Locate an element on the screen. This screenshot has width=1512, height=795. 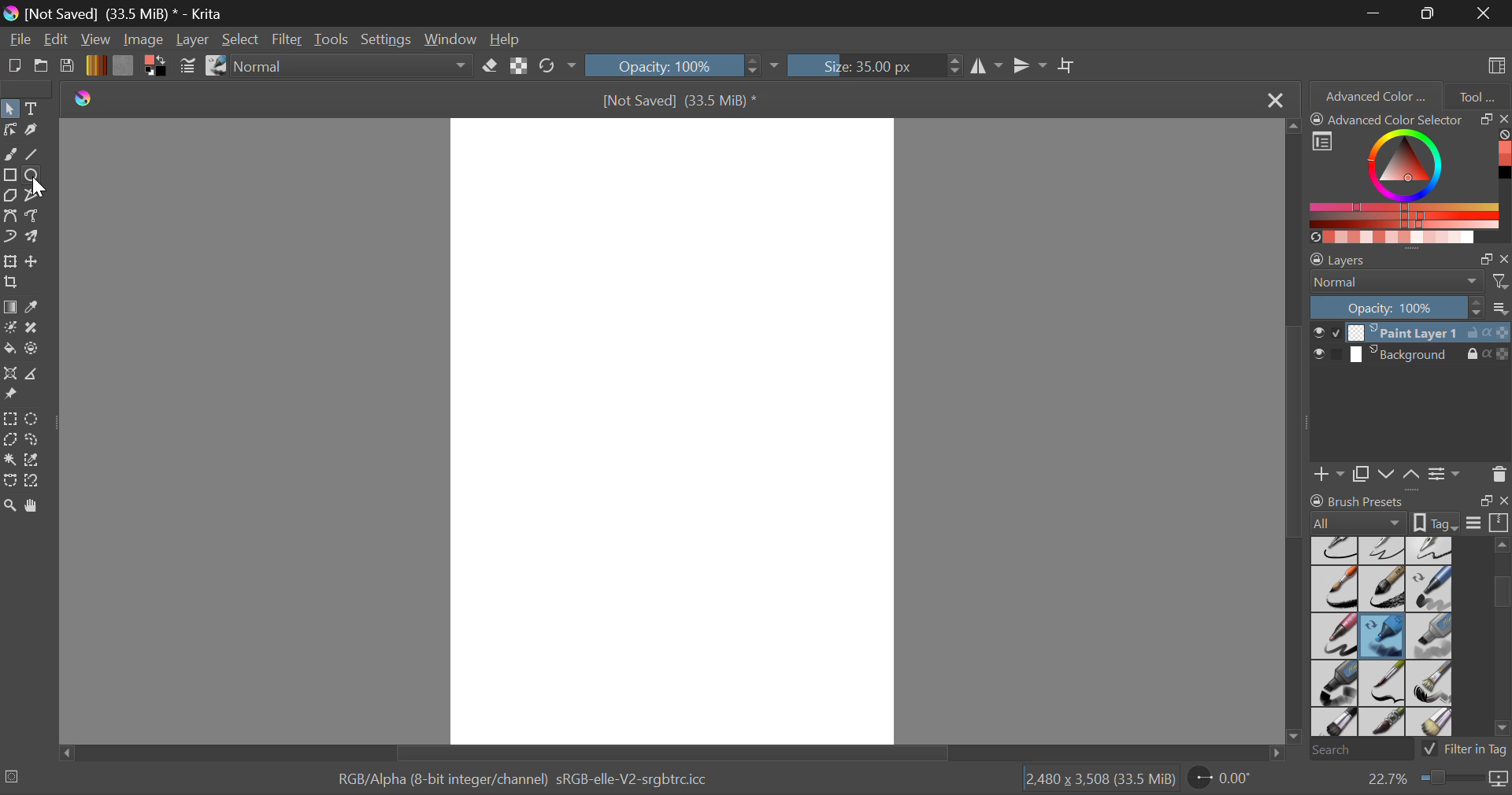
Polygon Tool is located at coordinates (9, 196).